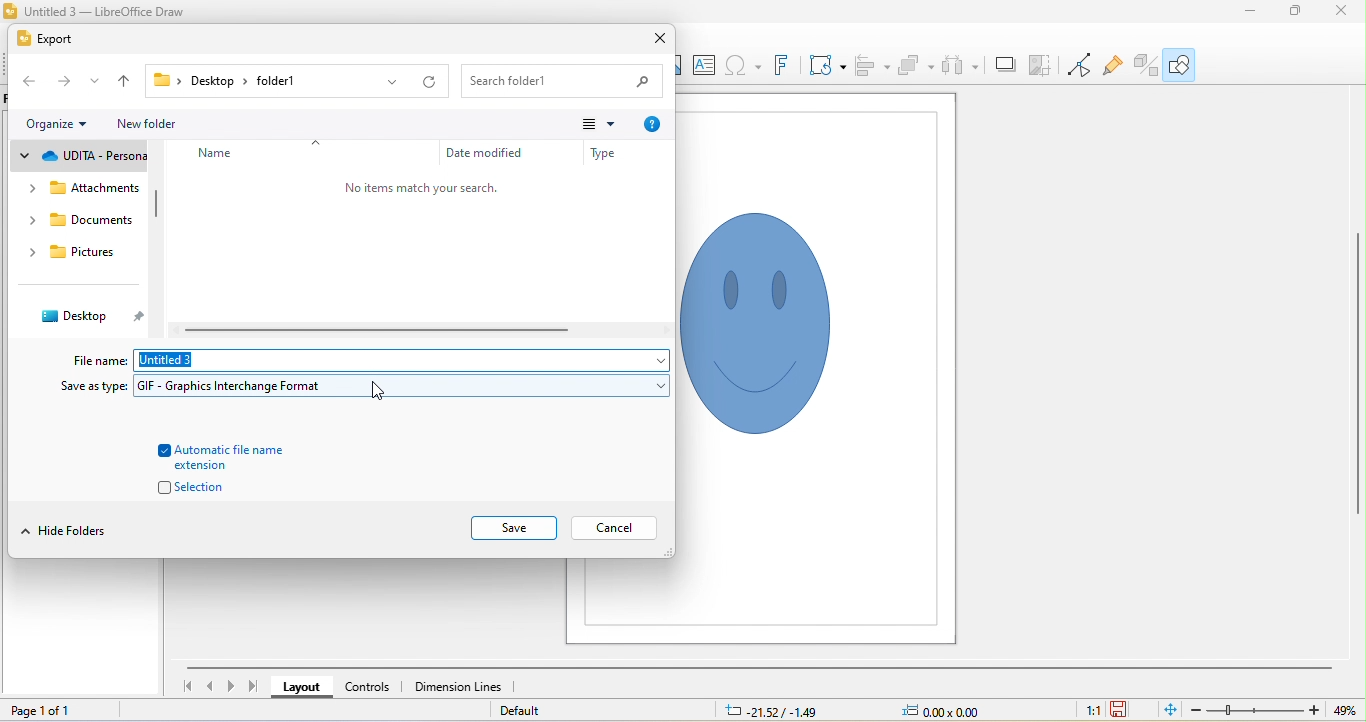 The image size is (1366, 722). Describe the element at coordinates (370, 687) in the screenshot. I see `controls` at that location.